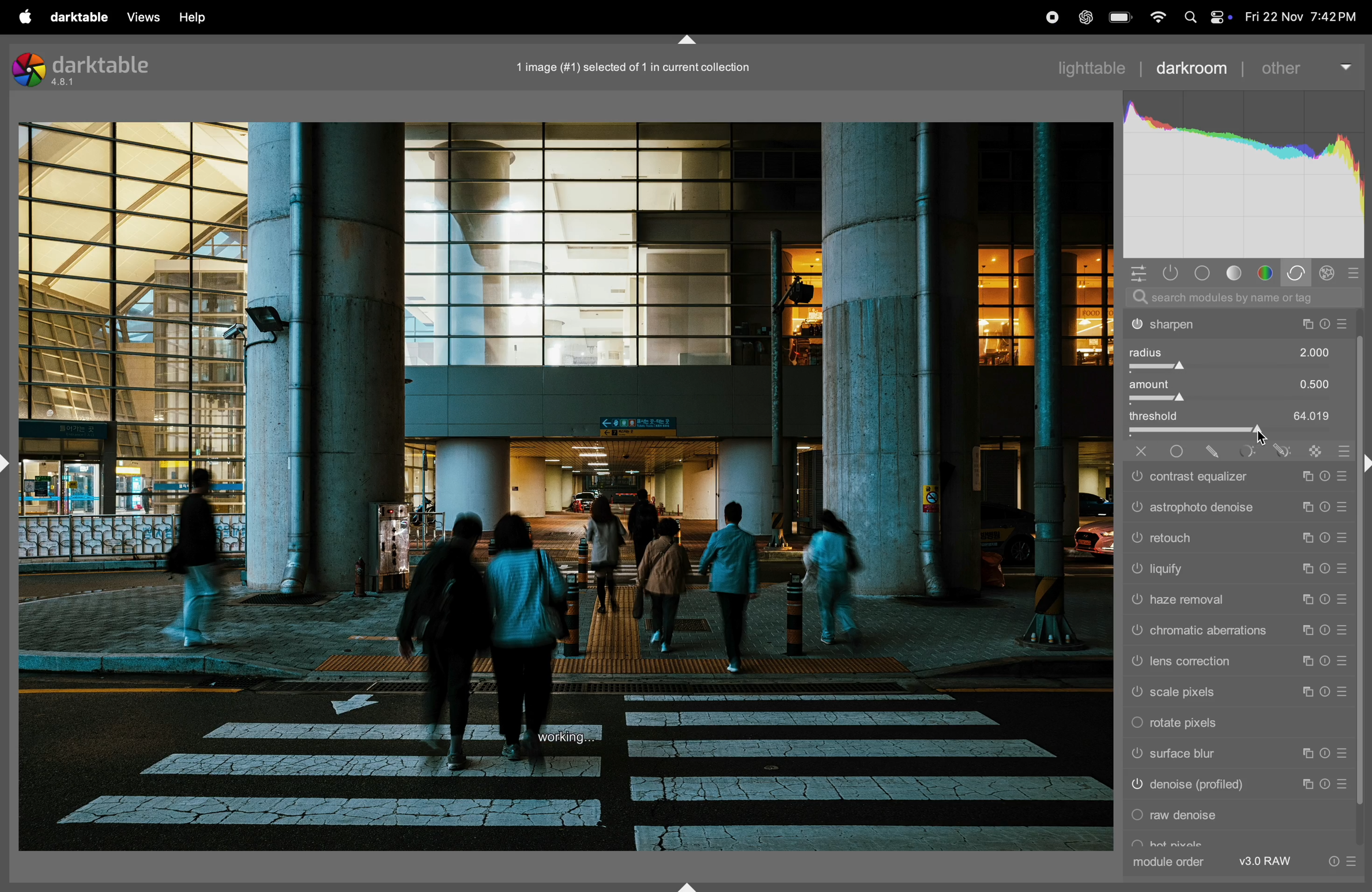  Describe the element at coordinates (1099, 66) in the screenshot. I see `light table` at that location.